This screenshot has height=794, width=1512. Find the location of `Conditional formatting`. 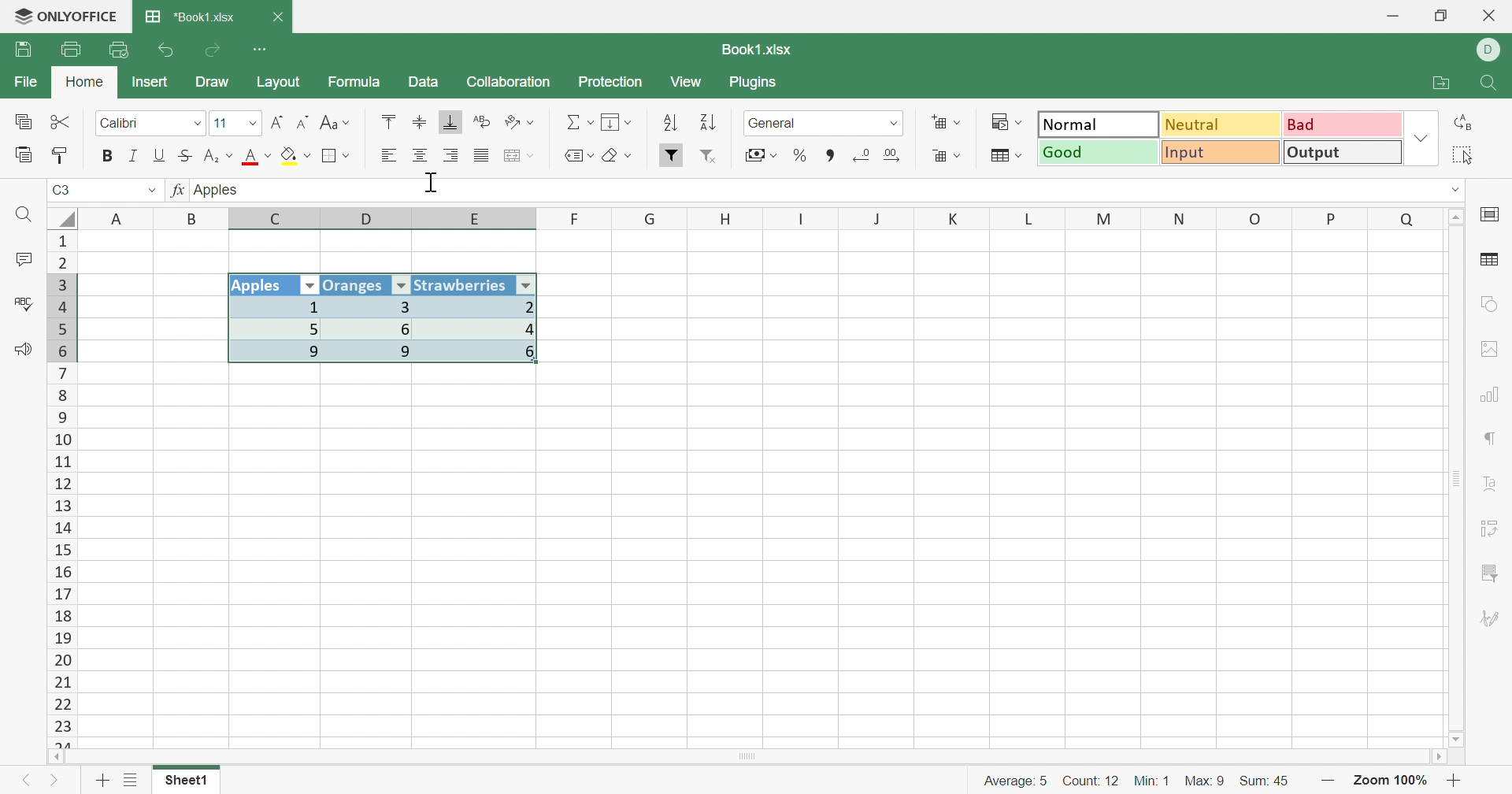

Conditional formatting is located at coordinates (1010, 122).